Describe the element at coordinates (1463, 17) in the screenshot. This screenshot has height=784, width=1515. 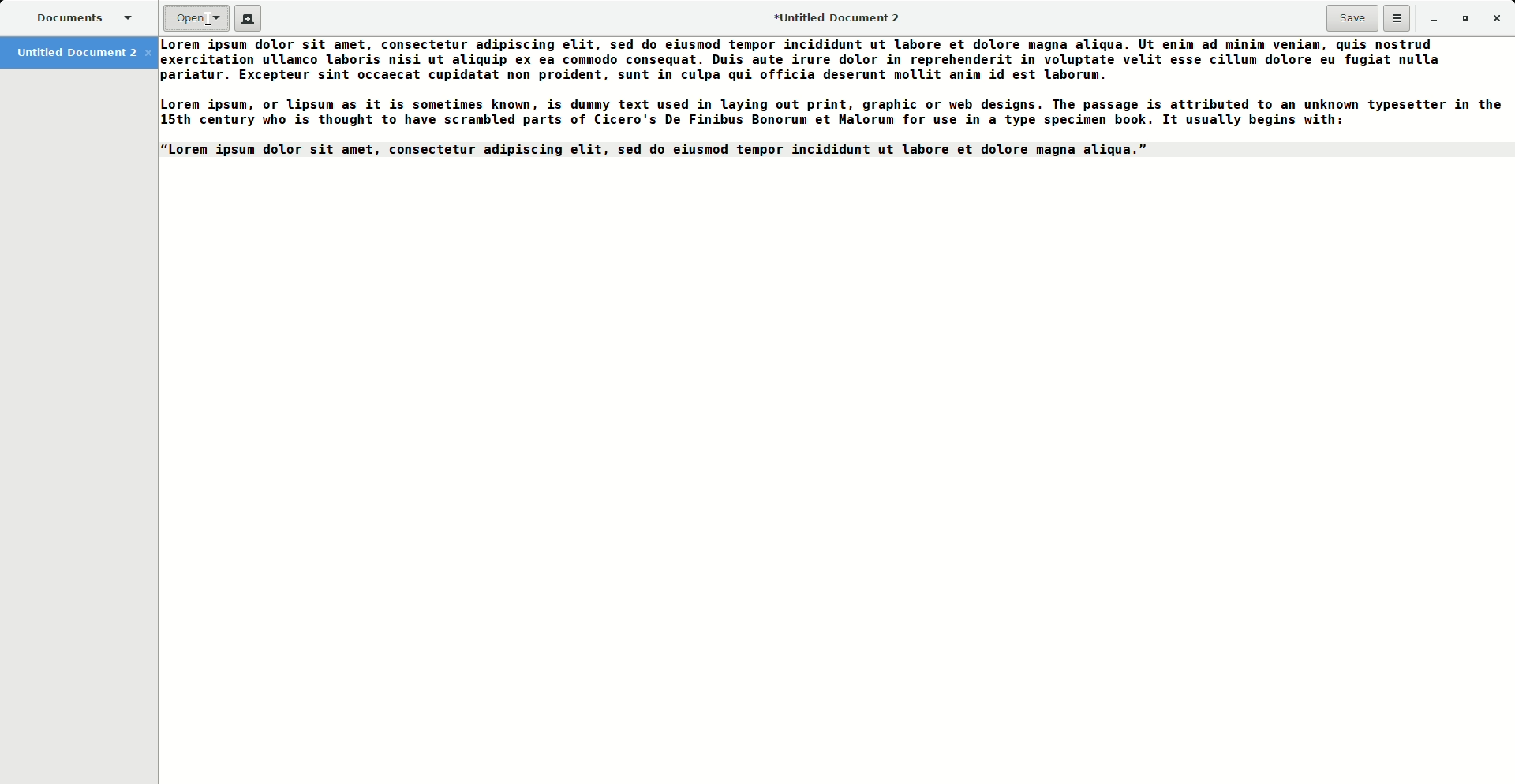
I see `Restore` at that location.